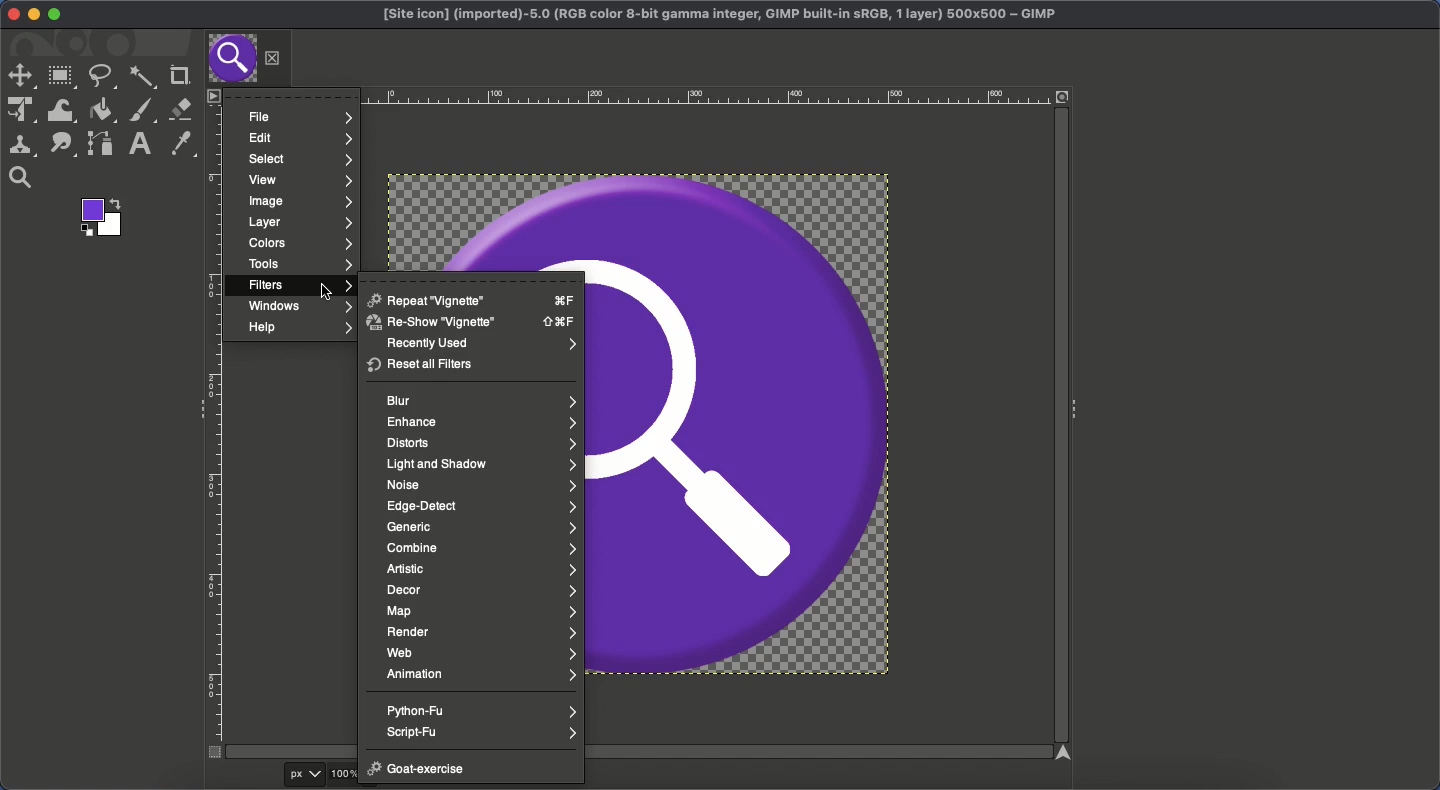 Image resolution: width=1440 pixels, height=790 pixels. What do you see at coordinates (102, 110) in the screenshot?
I see `Fill color` at bounding box center [102, 110].